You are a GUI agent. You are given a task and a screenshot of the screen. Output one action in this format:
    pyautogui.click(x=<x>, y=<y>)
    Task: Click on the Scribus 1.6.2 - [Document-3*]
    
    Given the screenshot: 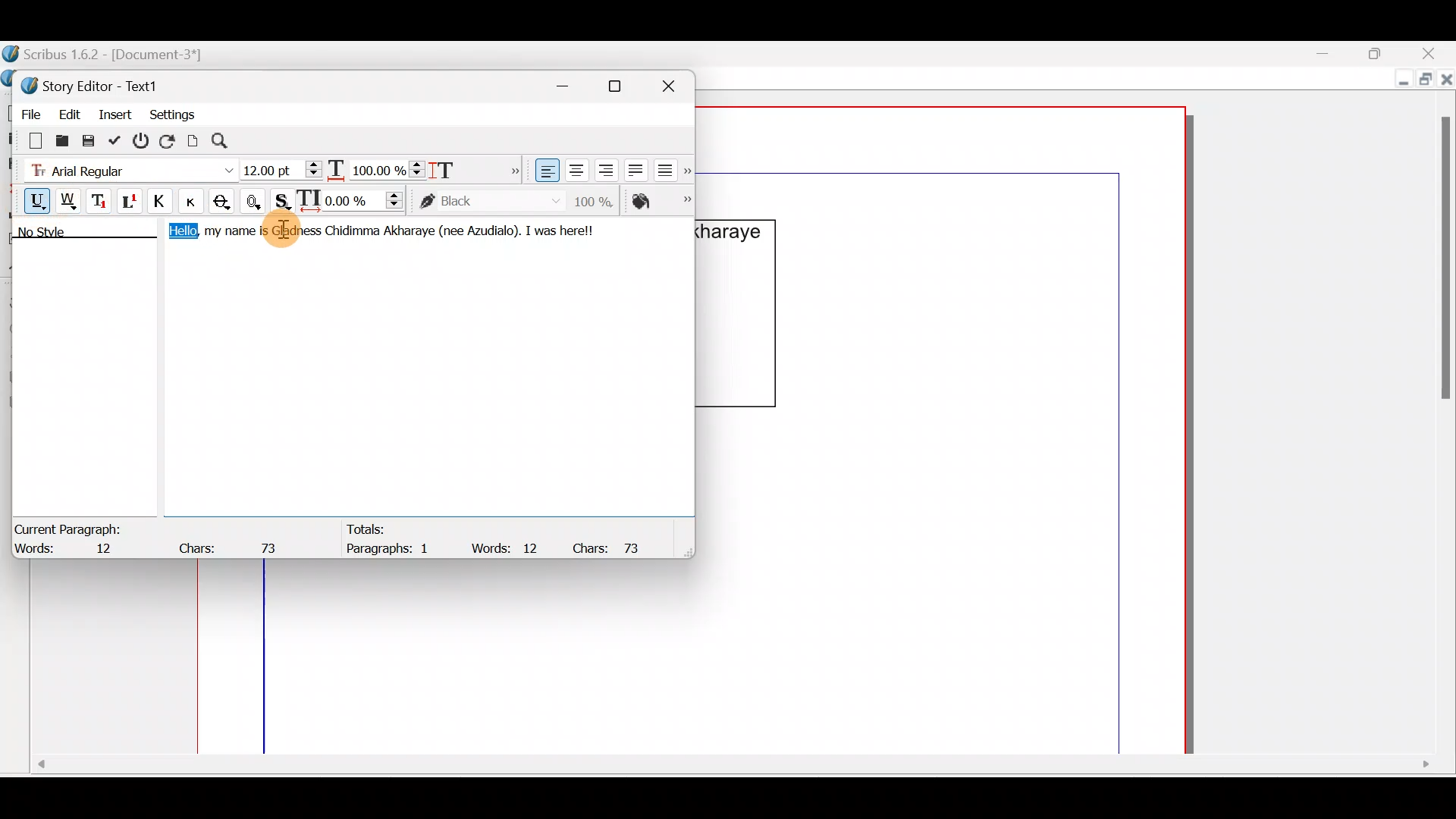 What is the action you would take?
    pyautogui.click(x=120, y=55)
    